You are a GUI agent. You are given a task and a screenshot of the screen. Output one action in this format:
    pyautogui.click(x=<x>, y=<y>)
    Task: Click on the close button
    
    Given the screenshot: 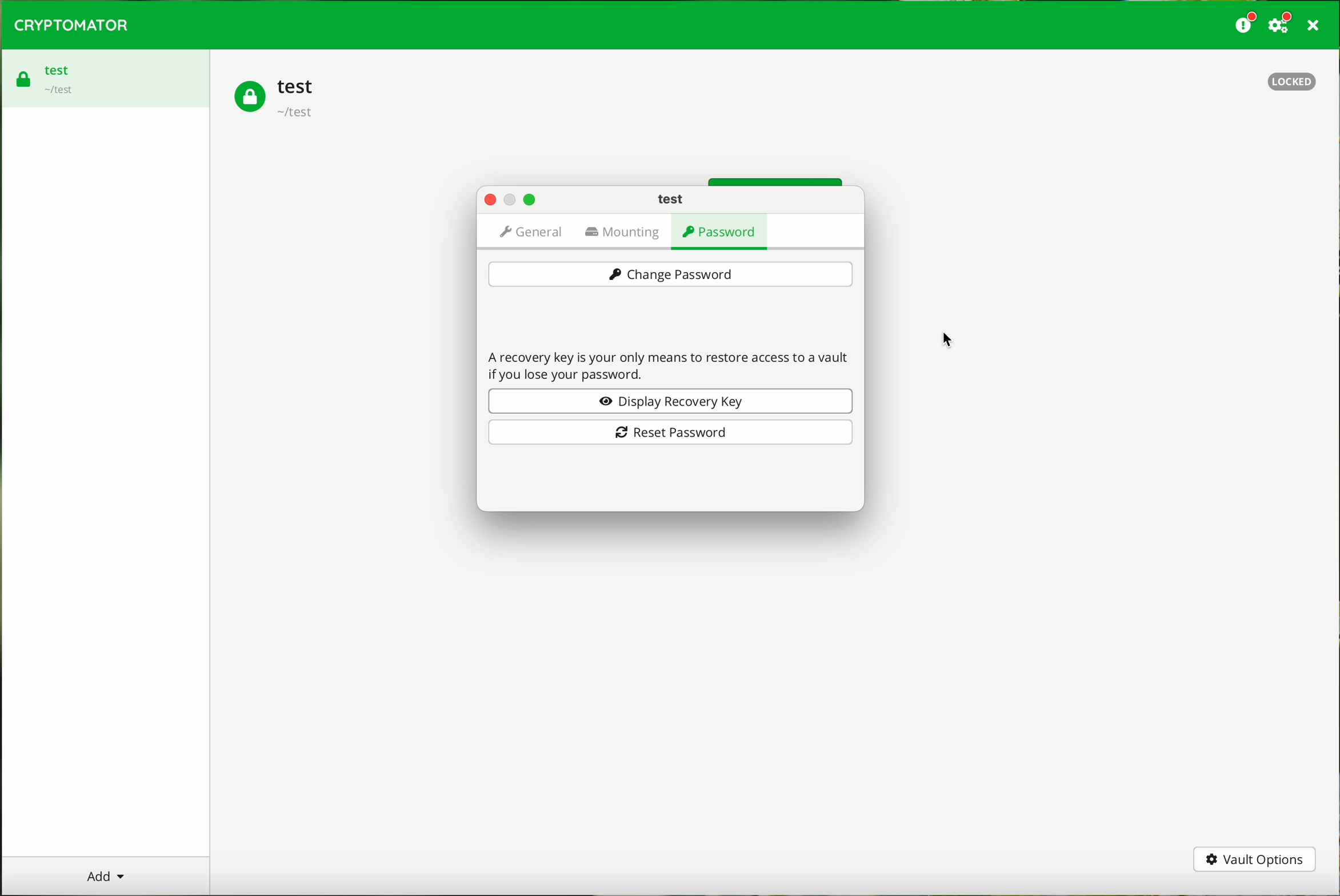 What is the action you would take?
    pyautogui.click(x=489, y=199)
    